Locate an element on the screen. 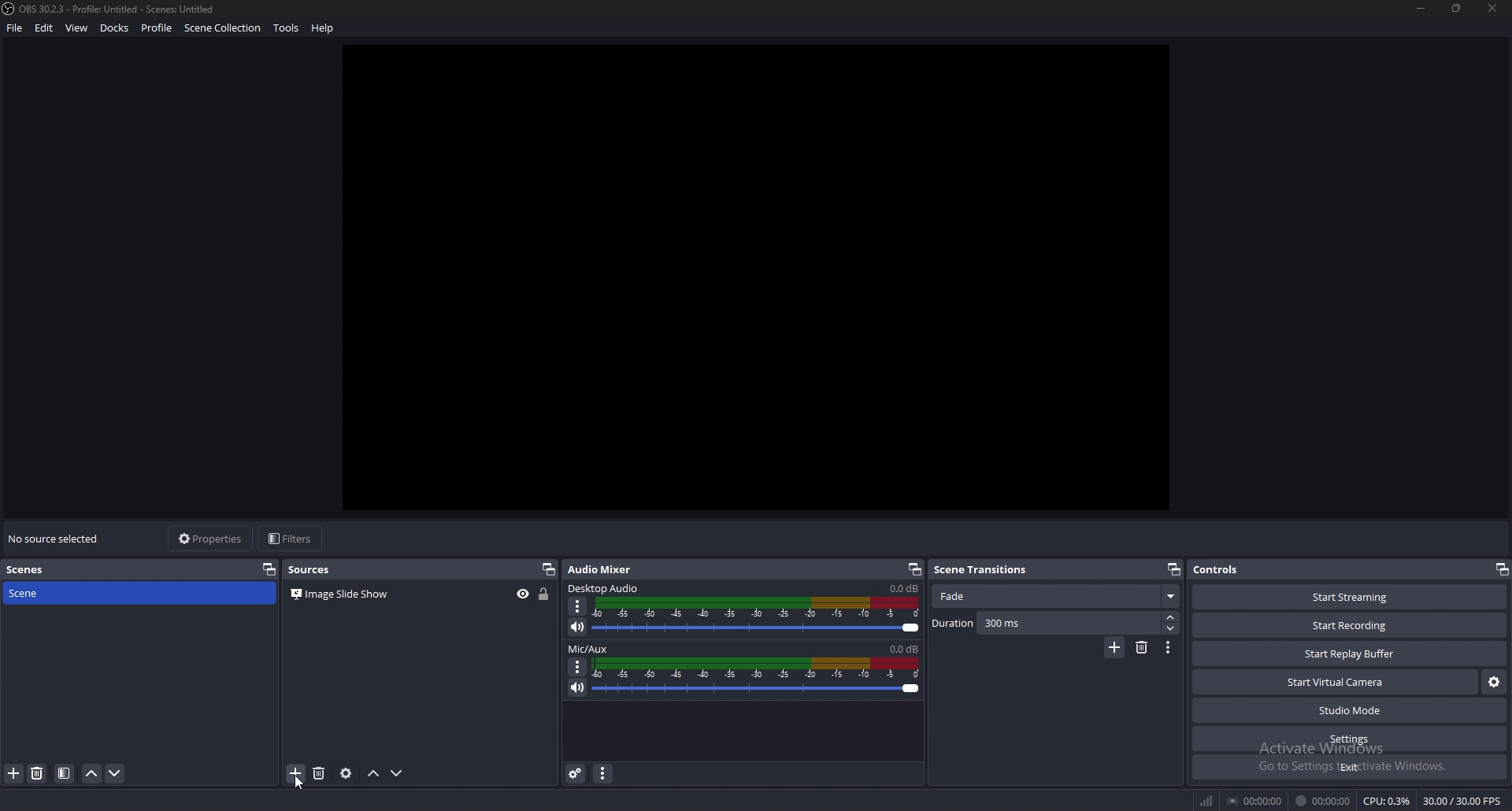  configure virtual camera is located at coordinates (1494, 682).